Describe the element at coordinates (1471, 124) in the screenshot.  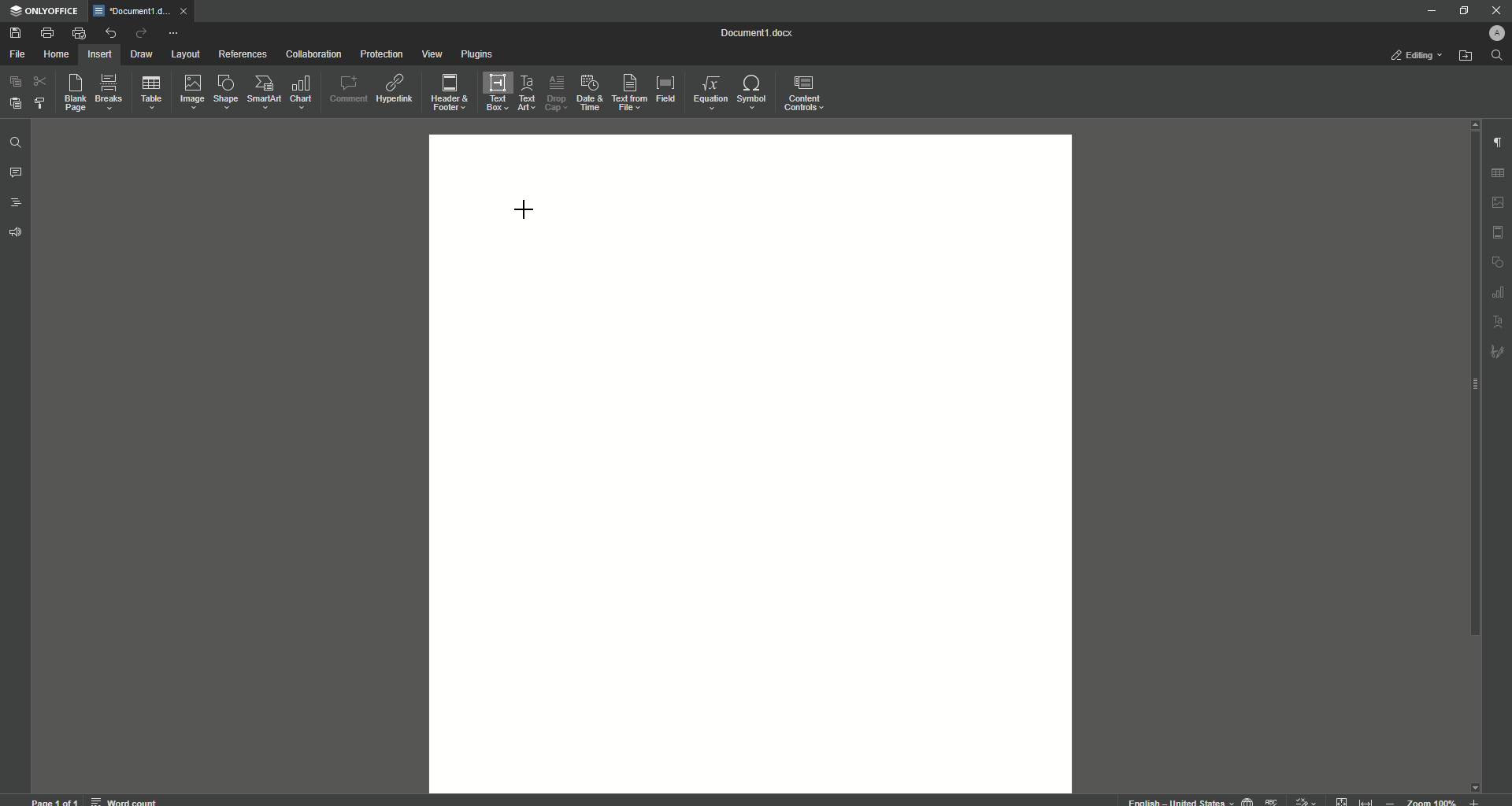
I see `scroll up` at that location.